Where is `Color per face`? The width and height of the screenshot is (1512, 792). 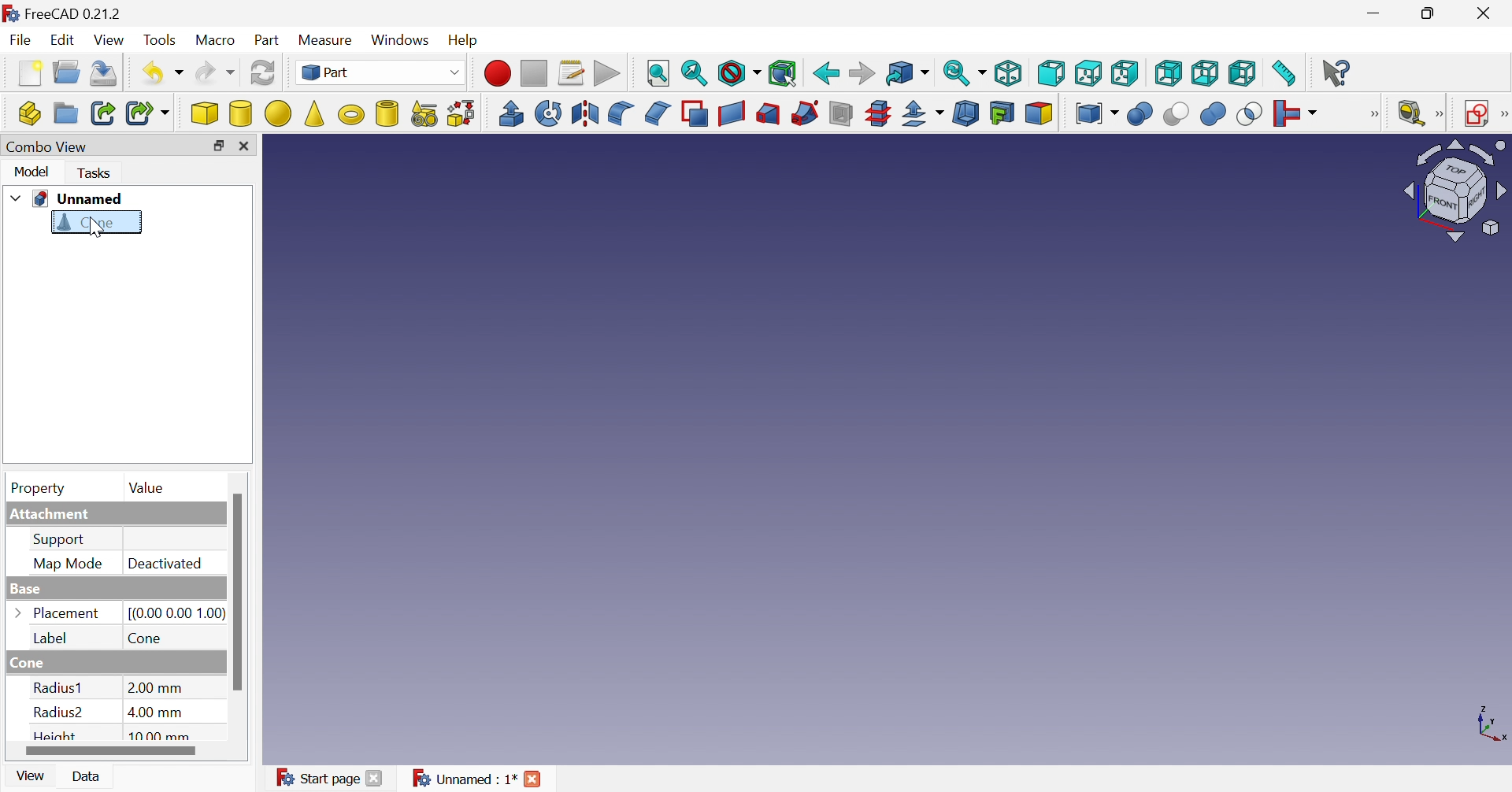
Color per face is located at coordinates (1038, 116).